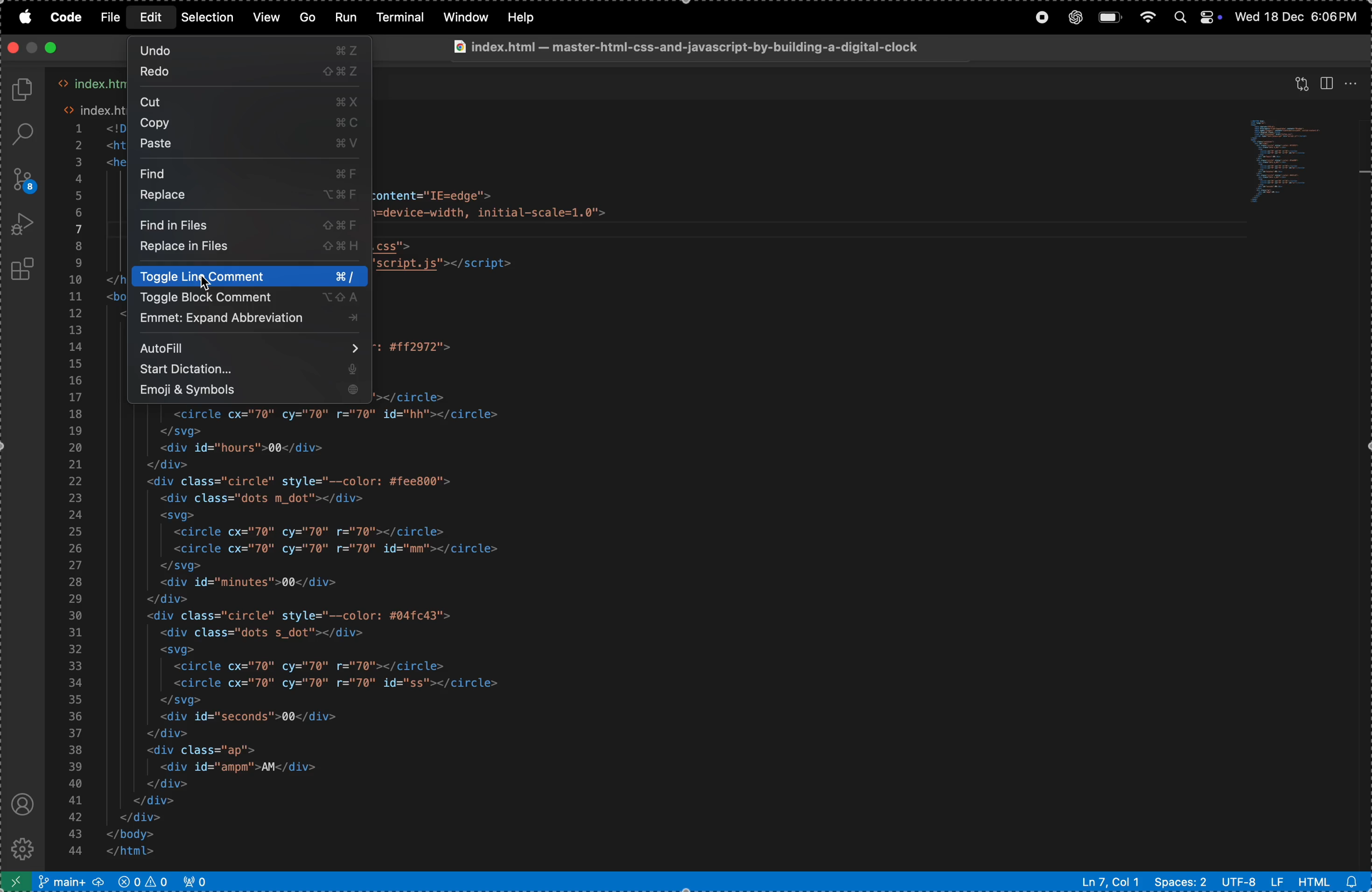  Describe the element at coordinates (246, 320) in the screenshot. I see `emment expand abbrevation` at that location.